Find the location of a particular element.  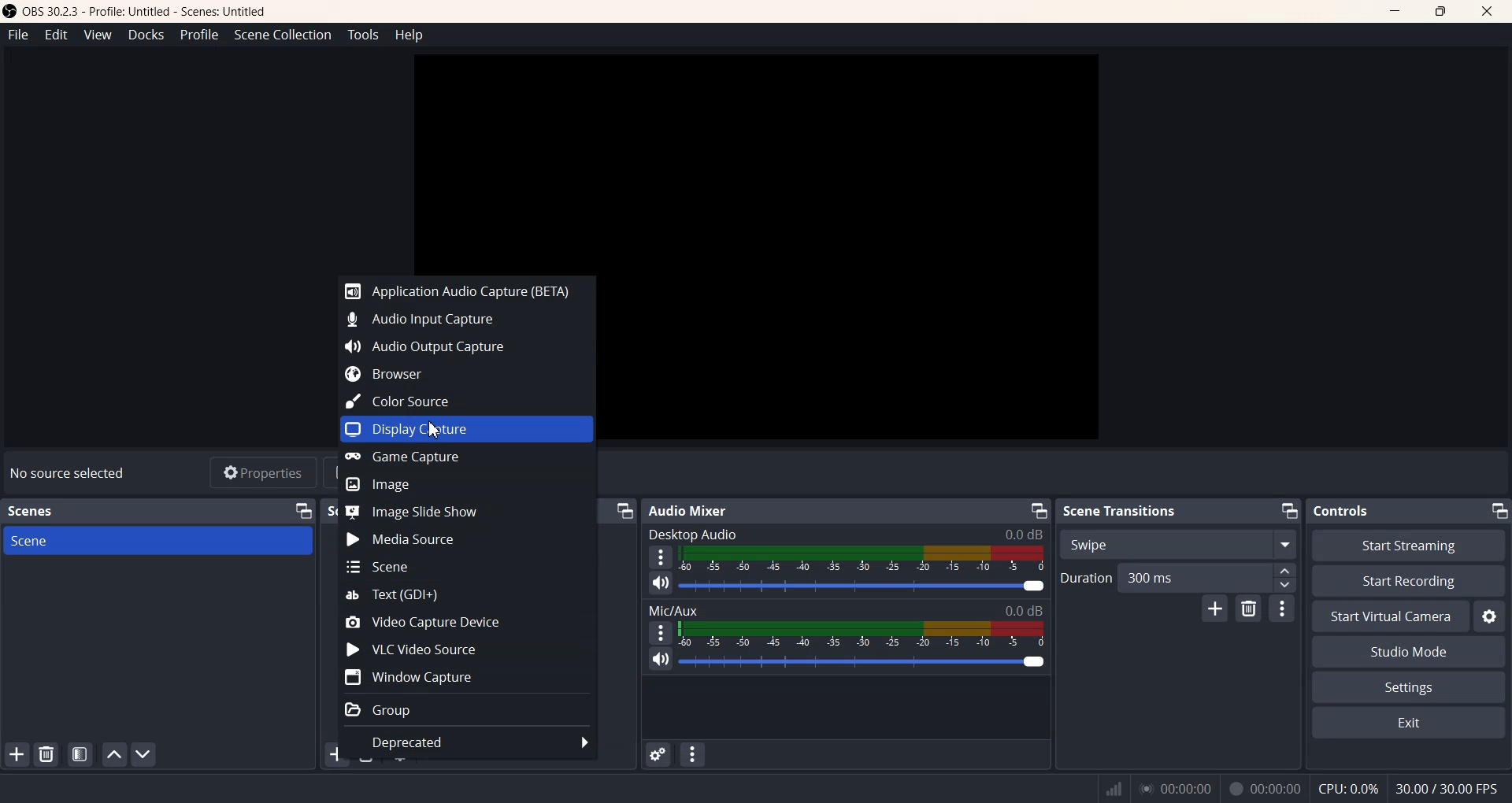

Audio Output Capture is located at coordinates (464, 347).